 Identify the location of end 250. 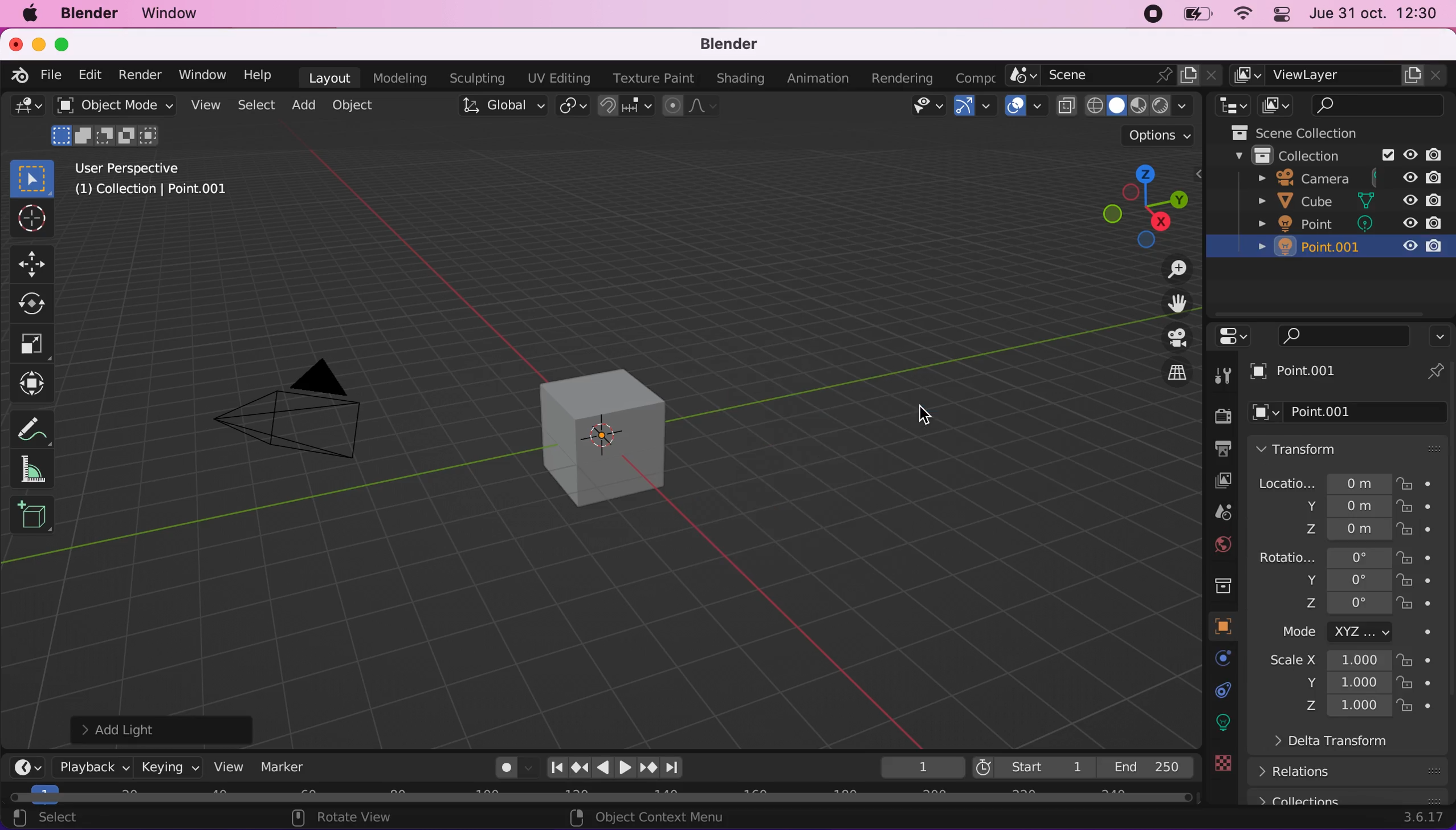
(1145, 767).